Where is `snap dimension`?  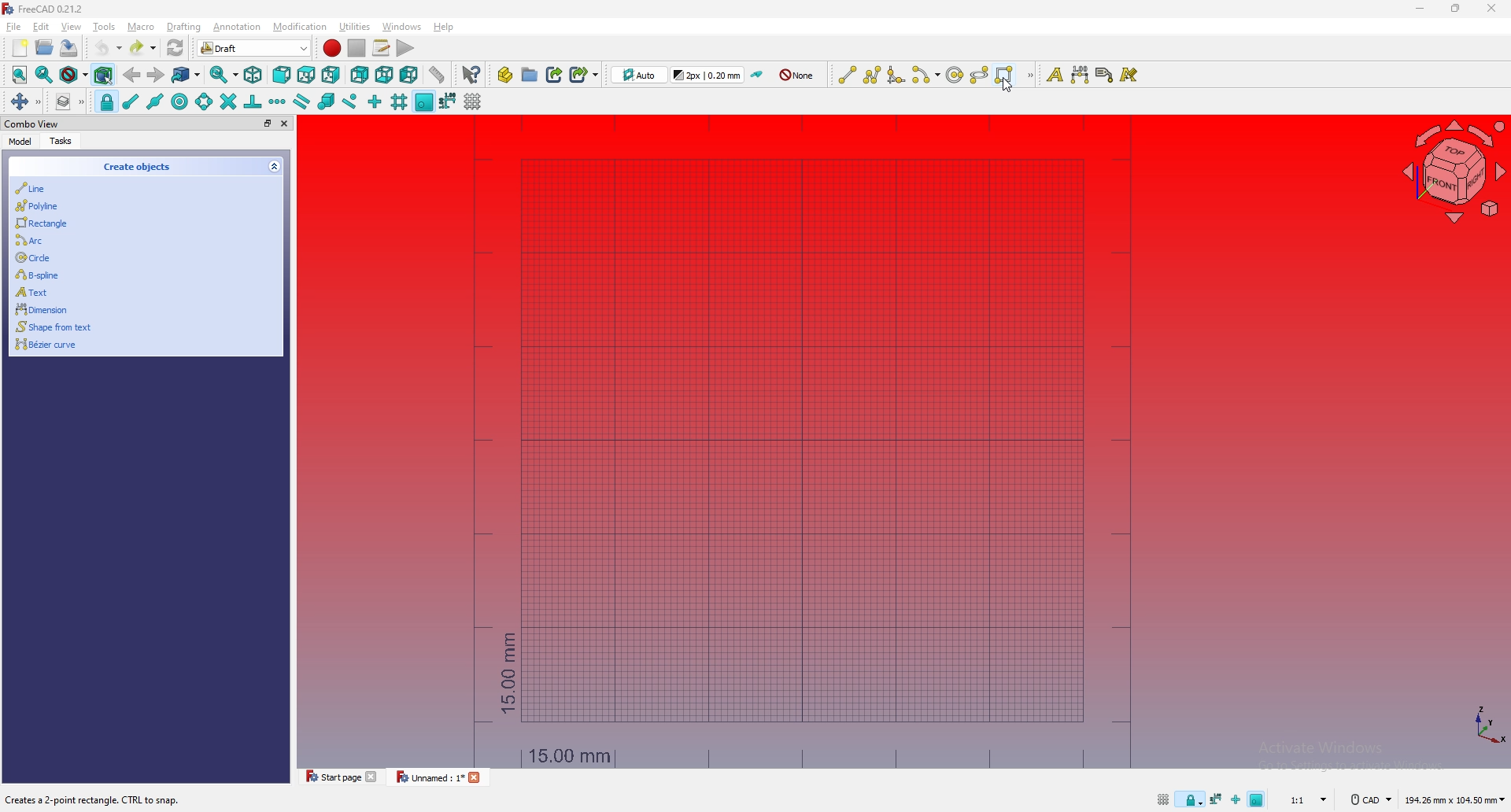 snap dimension is located at coordinates (448, 100).